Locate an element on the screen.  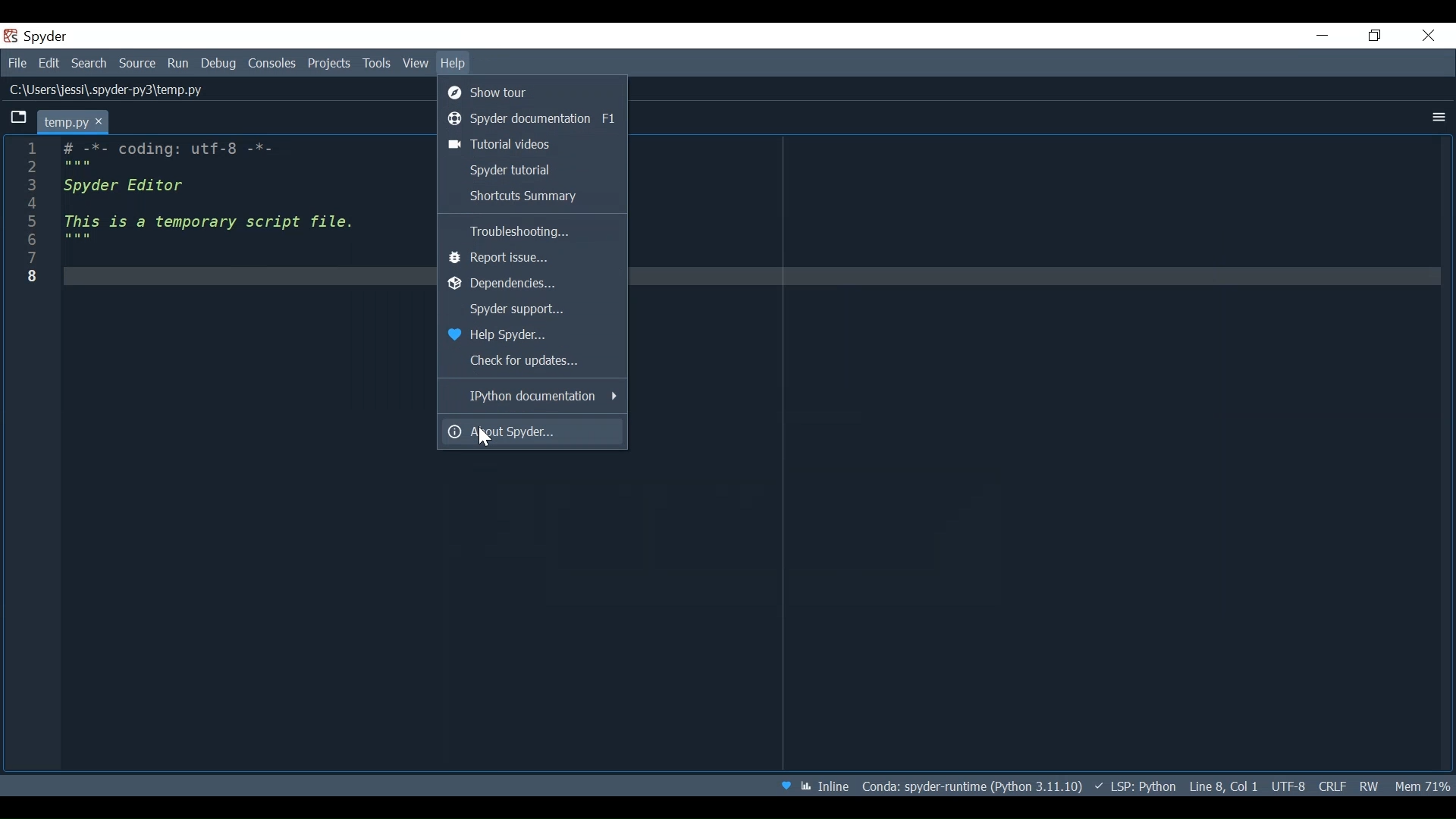
Check For Updates is located at coordinates (530, 362).